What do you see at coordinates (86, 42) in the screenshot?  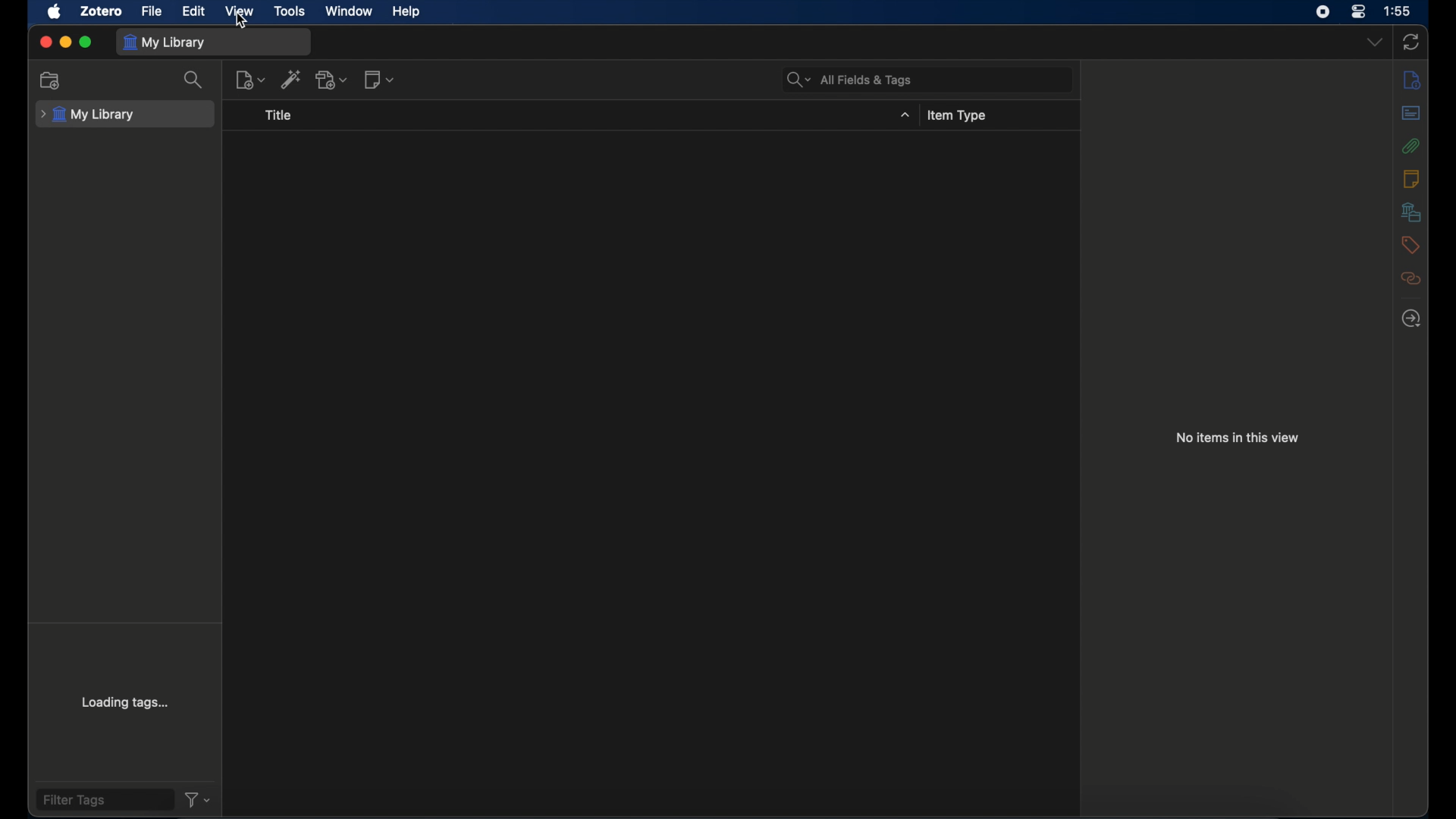 I see `maximize` at bounding box center [86, 42].